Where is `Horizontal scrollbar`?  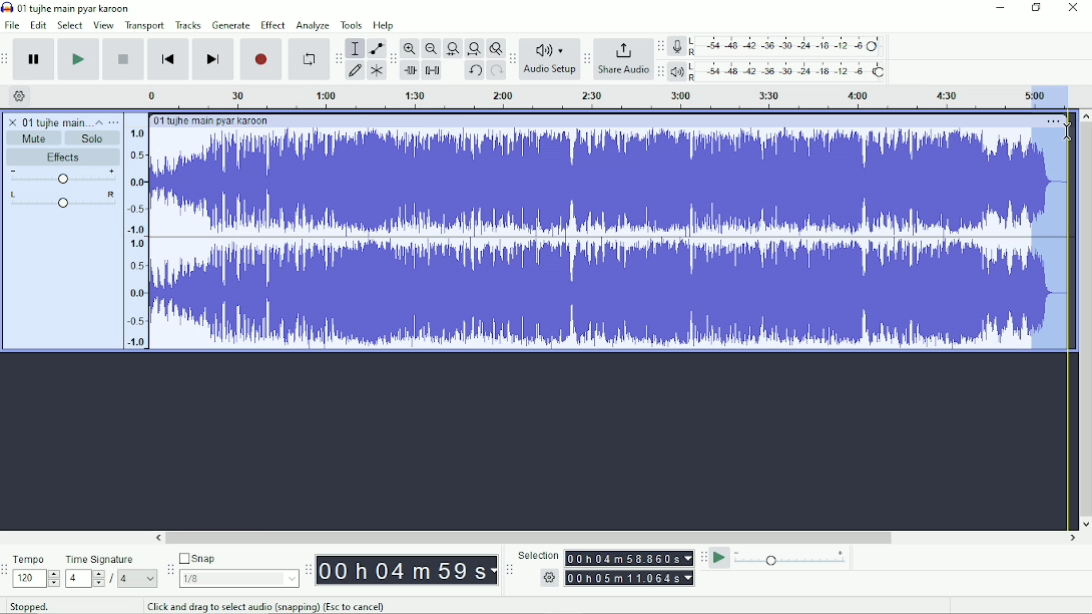
Horizontal scrollbar is located at coordinates (616, 538).